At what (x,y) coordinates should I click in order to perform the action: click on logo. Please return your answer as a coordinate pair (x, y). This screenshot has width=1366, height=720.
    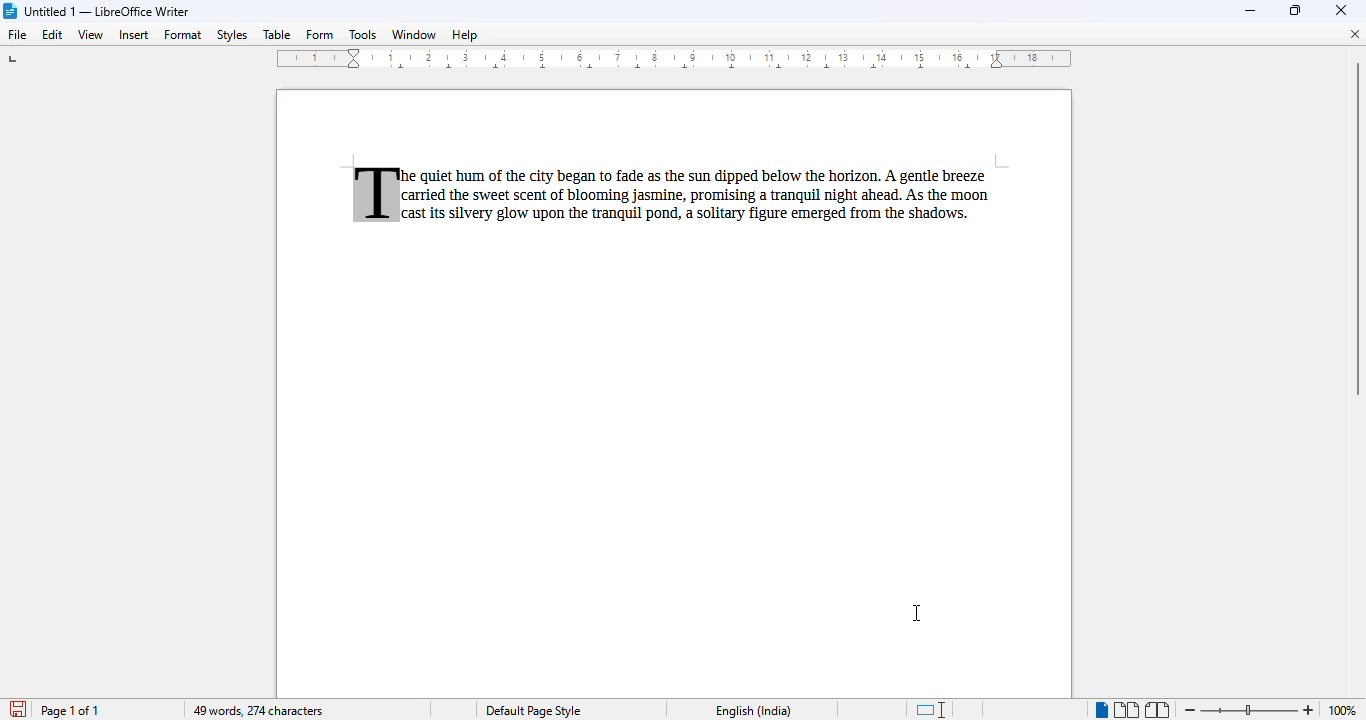
    Looking at the image, I should click on (10, 11).